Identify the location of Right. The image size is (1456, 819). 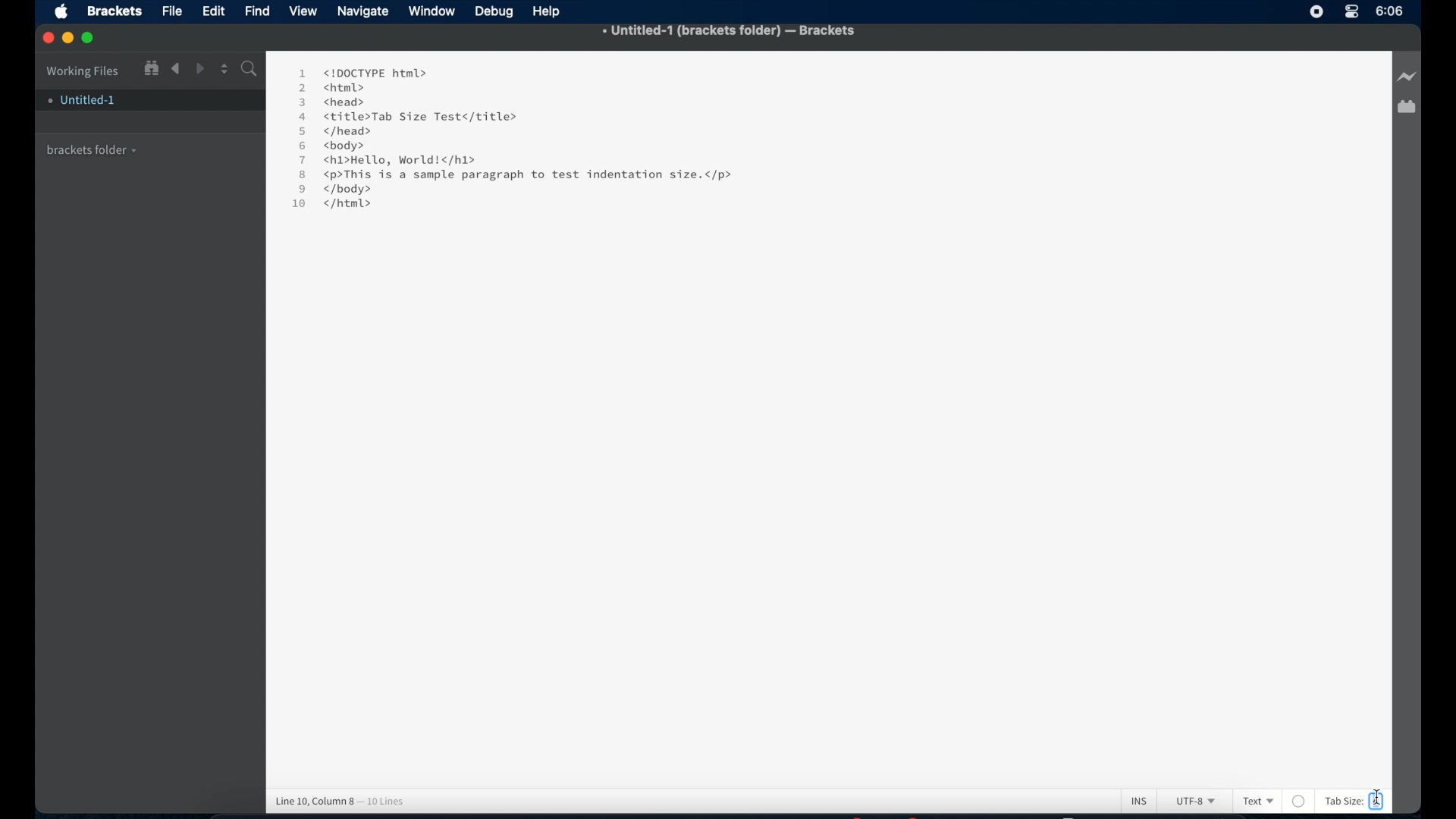
(201, 68).